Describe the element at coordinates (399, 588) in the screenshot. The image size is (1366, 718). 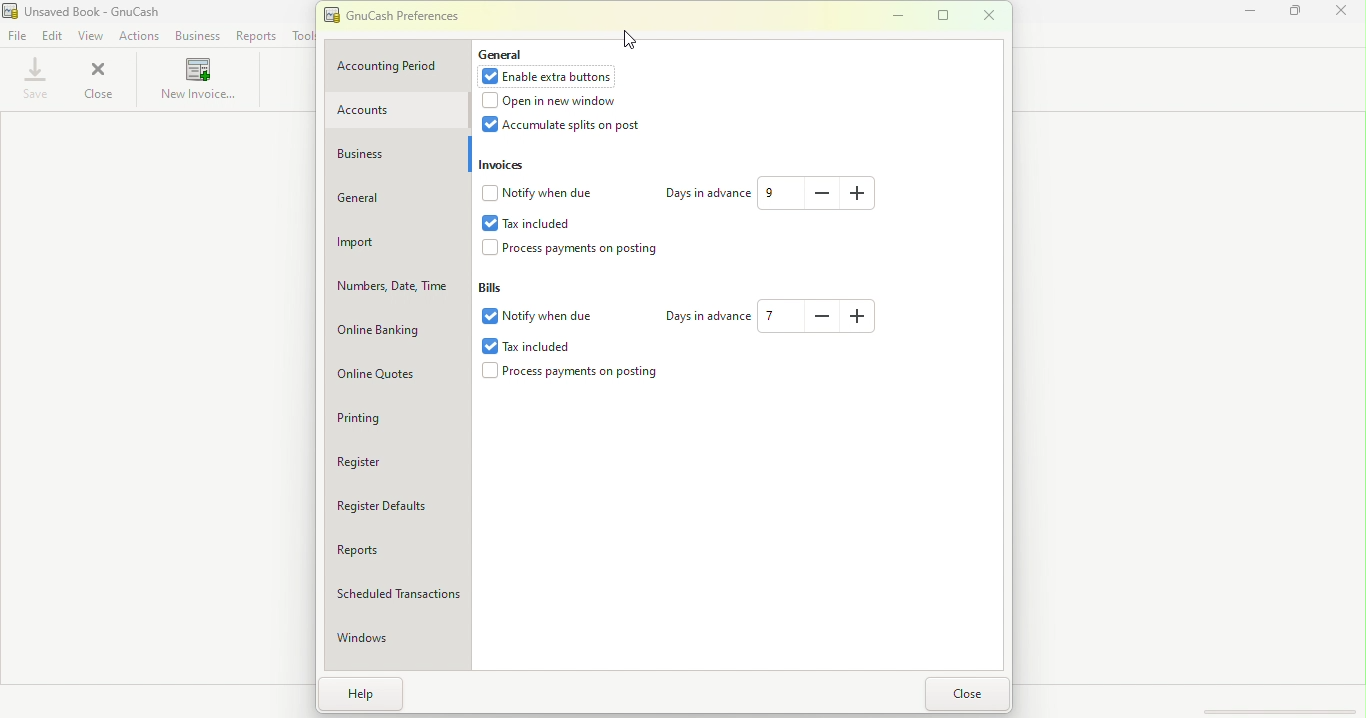
I see `Scheduled Transactions` at that location.